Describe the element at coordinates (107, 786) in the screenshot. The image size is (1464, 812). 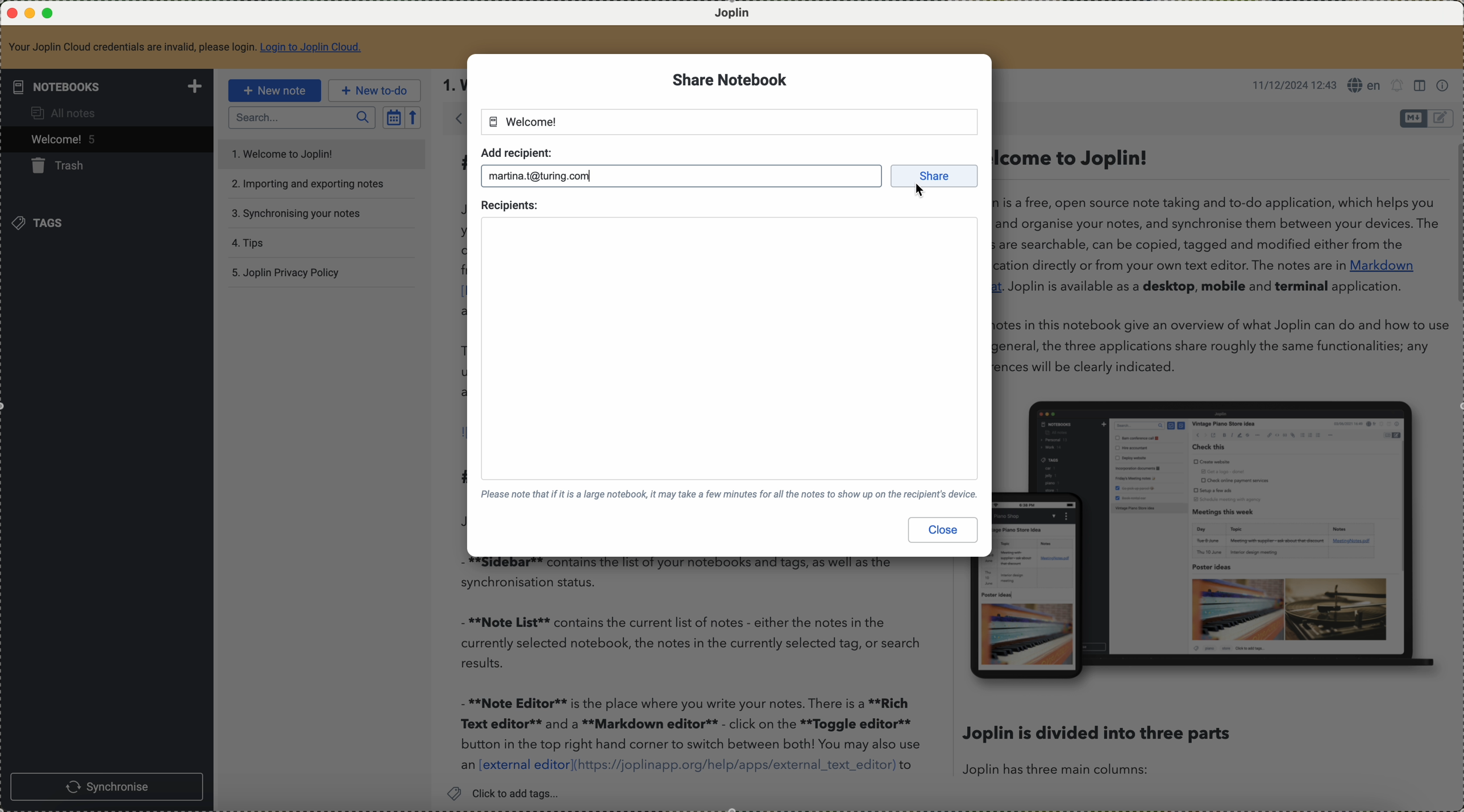
I see `synchronise` at that location.